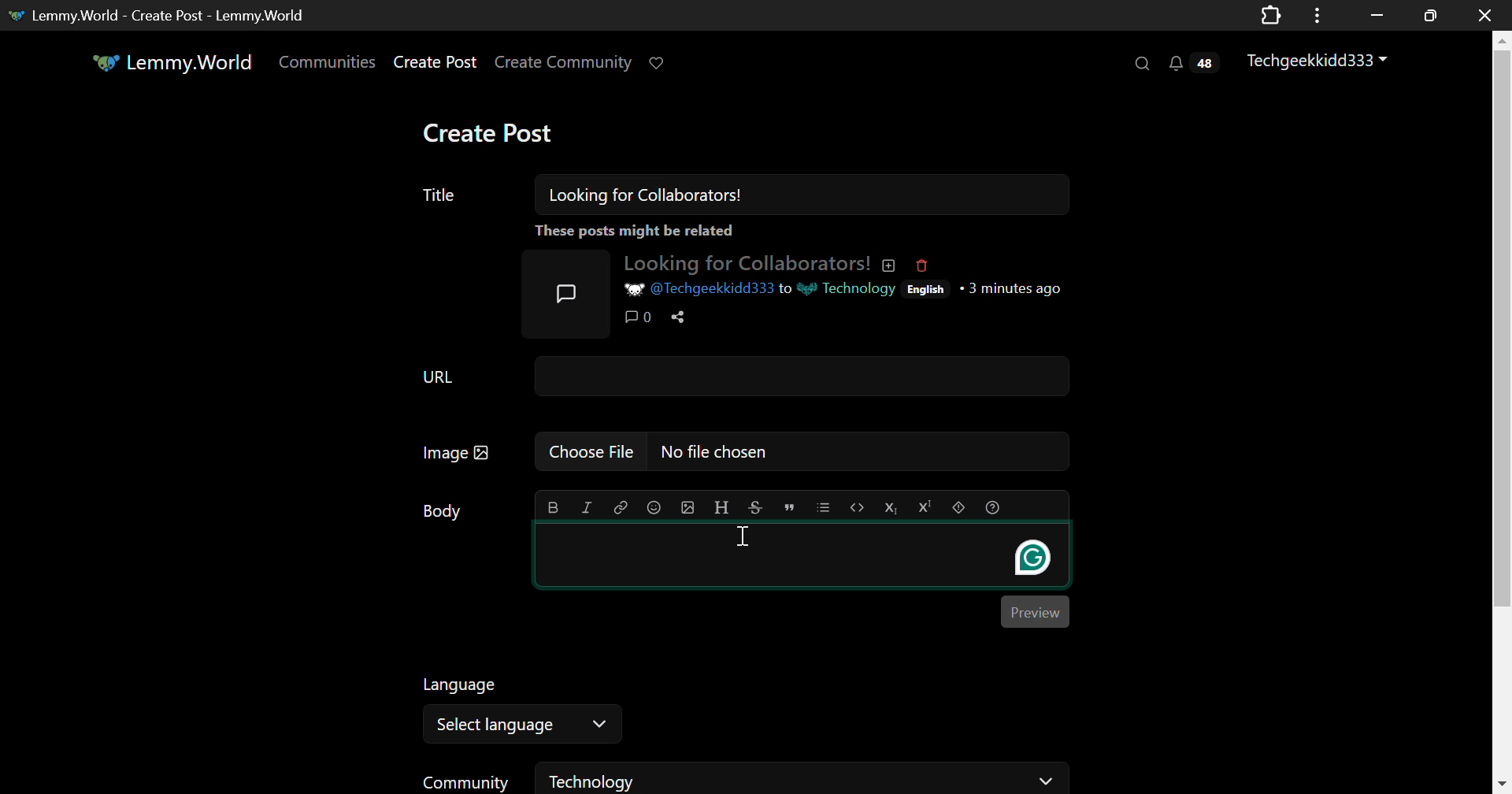 The height and width of the screenshot is (794, 1512). Describe the element at coordinates (1319, 15) in the screenshot. I see `Application Menu` at that location.